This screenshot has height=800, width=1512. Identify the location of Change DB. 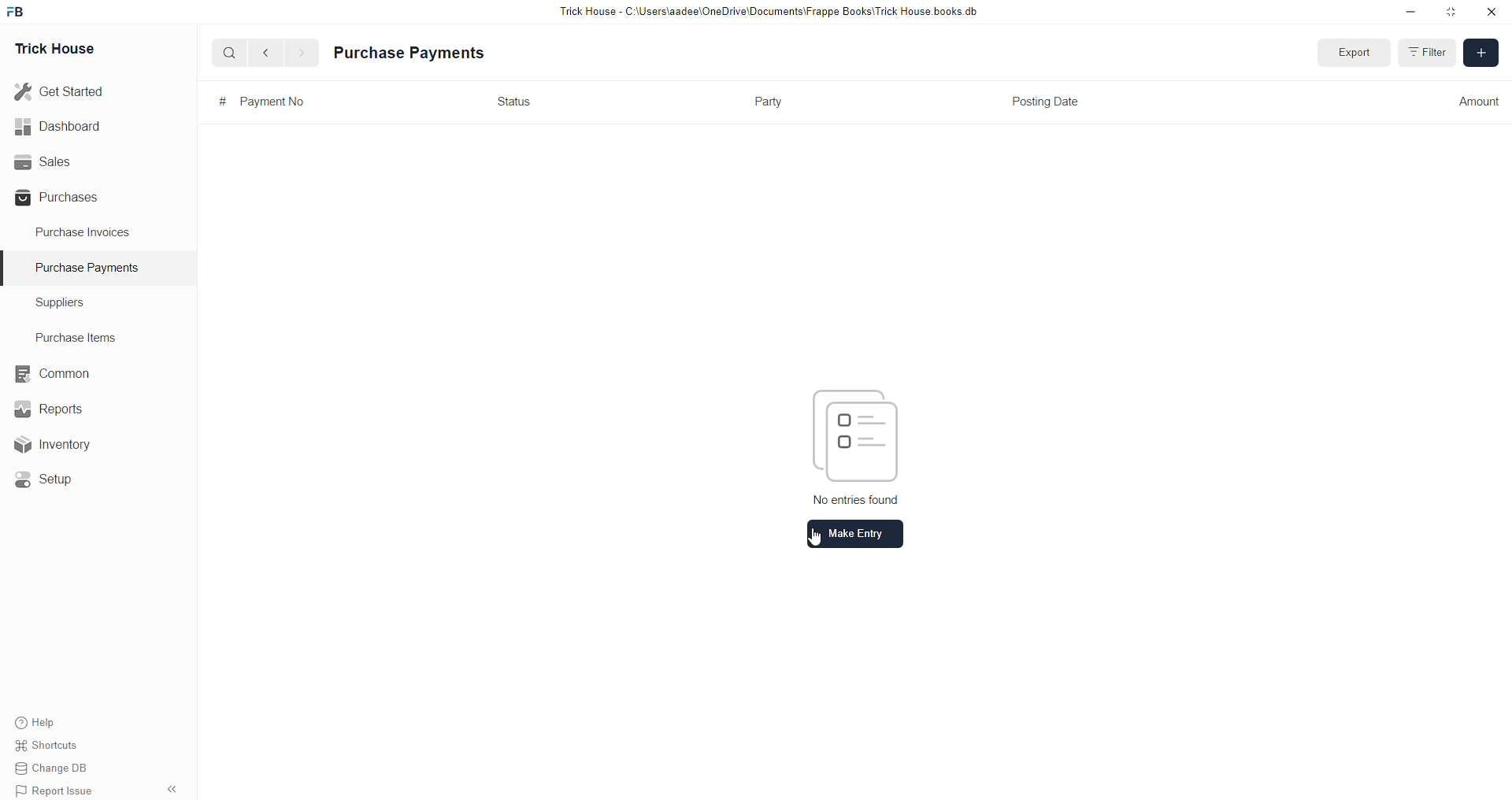
(60, 769).